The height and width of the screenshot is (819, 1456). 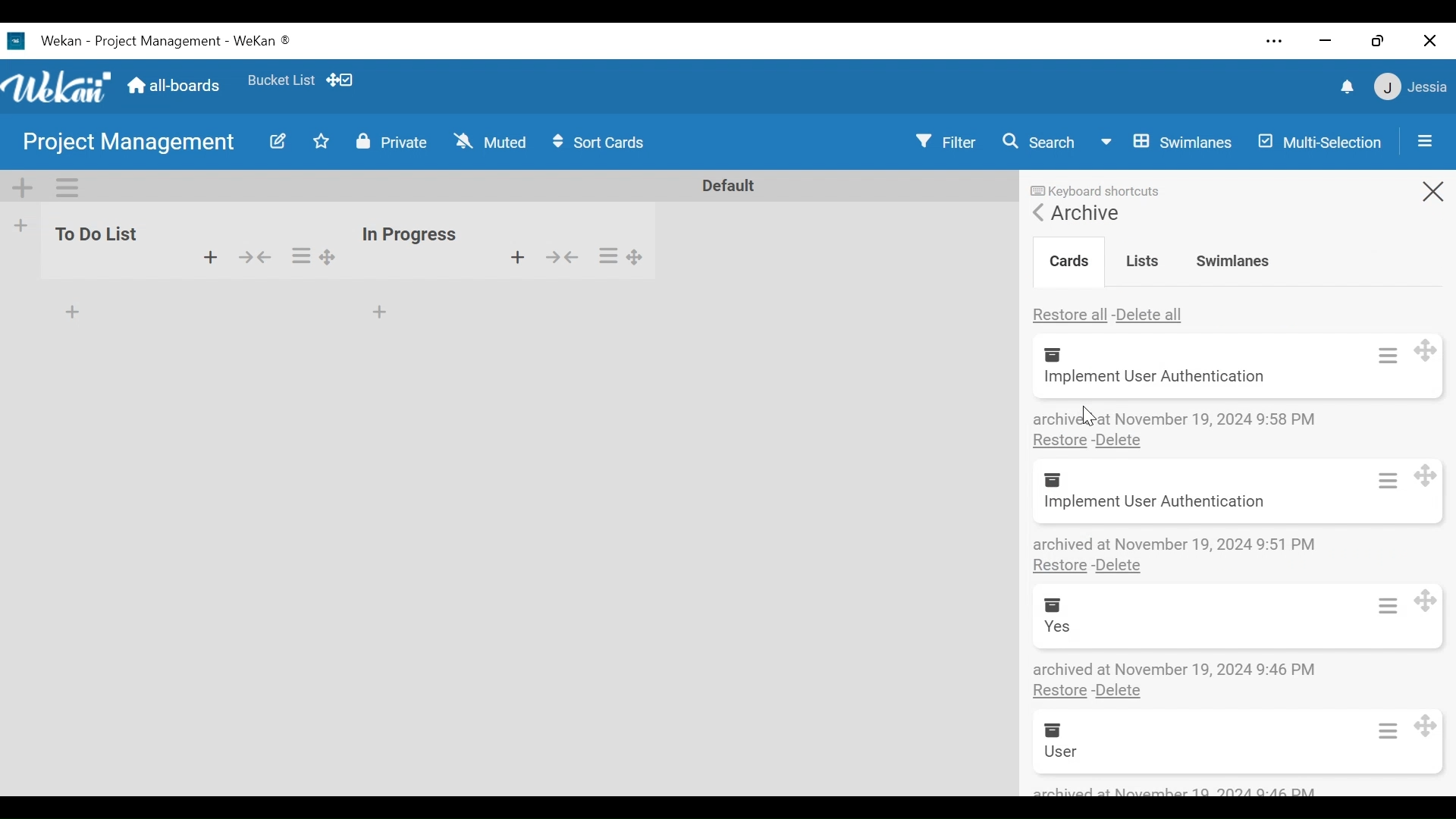 What do you see at coordinates (344, 80) in the screenshot?
I see `Show Desktop drag handles` at bounding box center [344, 80].